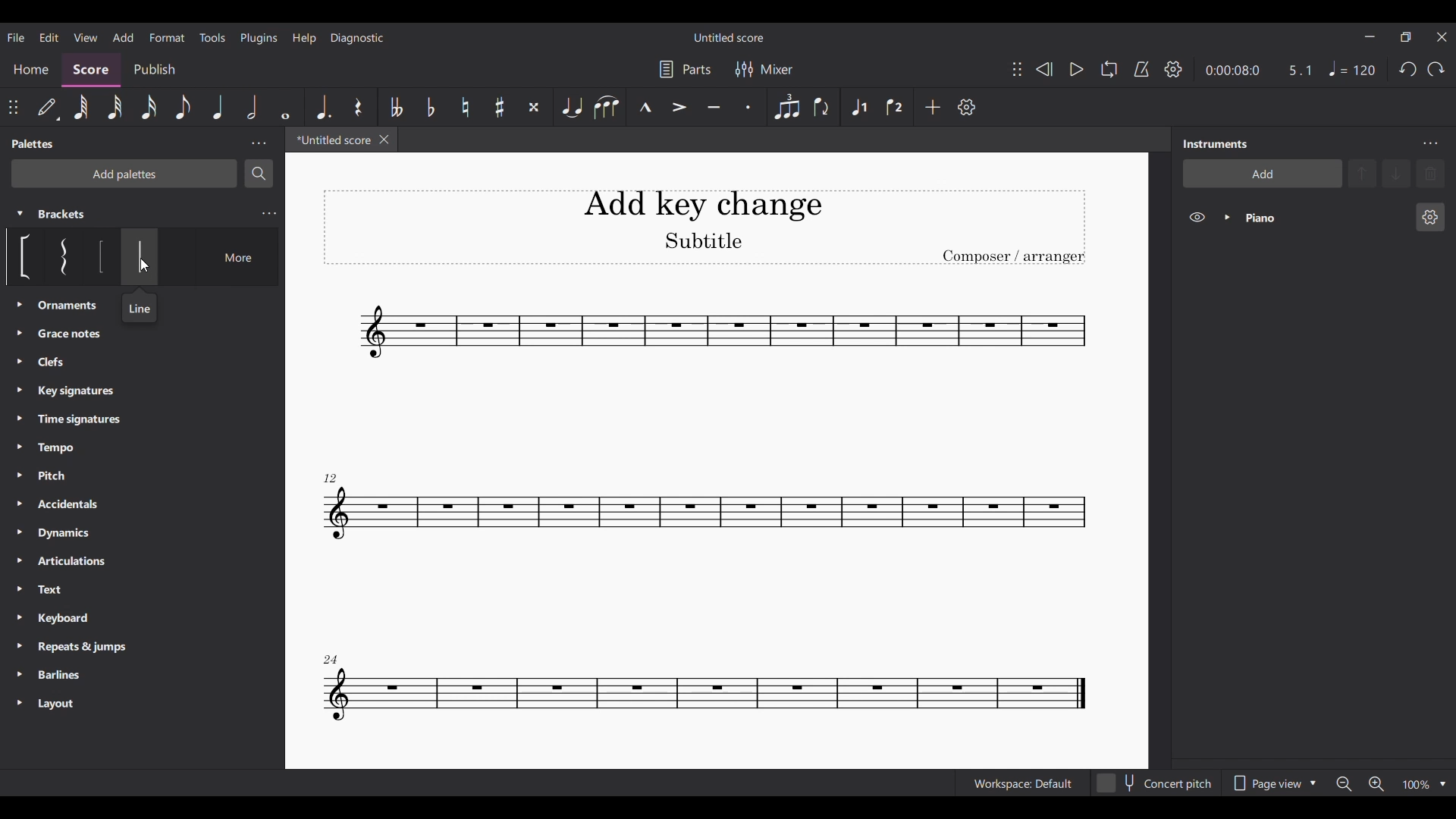  What do you see at coordinates (167, 36) in the screenshot?
I see `Format menu` at bounding box center [167, 36].